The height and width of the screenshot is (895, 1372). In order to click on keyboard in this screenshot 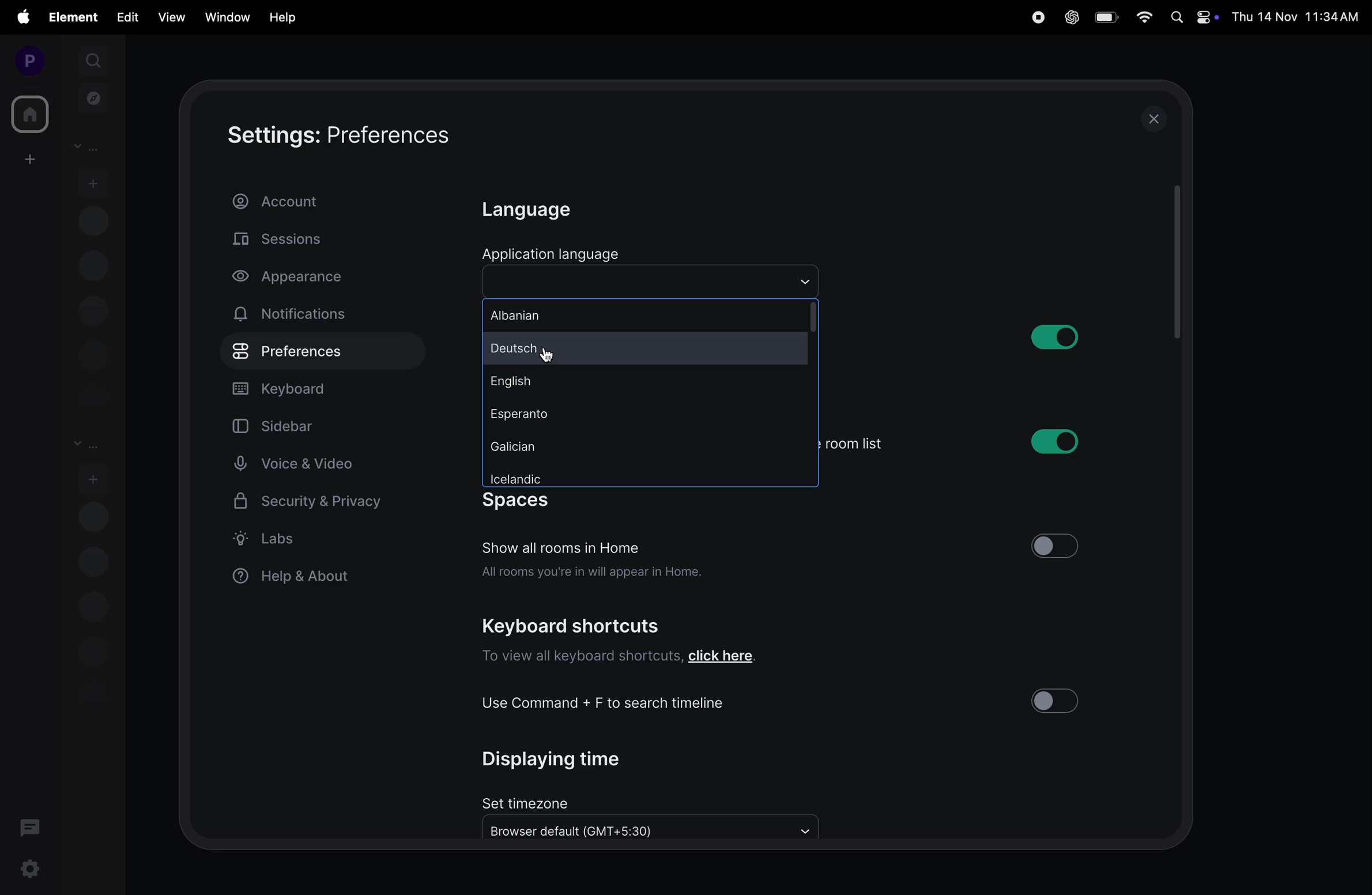, I will do `click(307, 391)`.